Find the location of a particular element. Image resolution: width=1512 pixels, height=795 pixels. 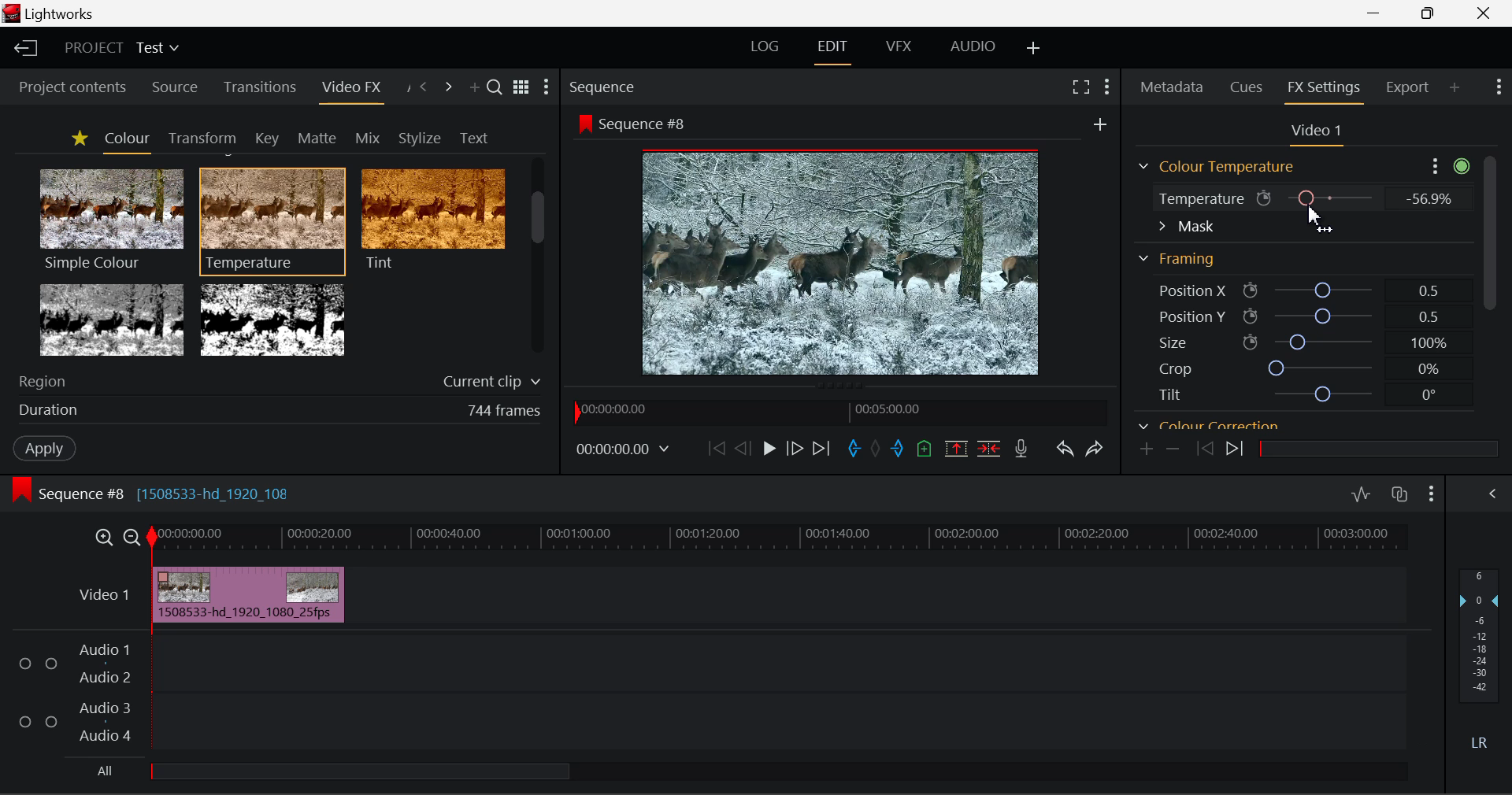

icon is located at coordinates (1265, 198).